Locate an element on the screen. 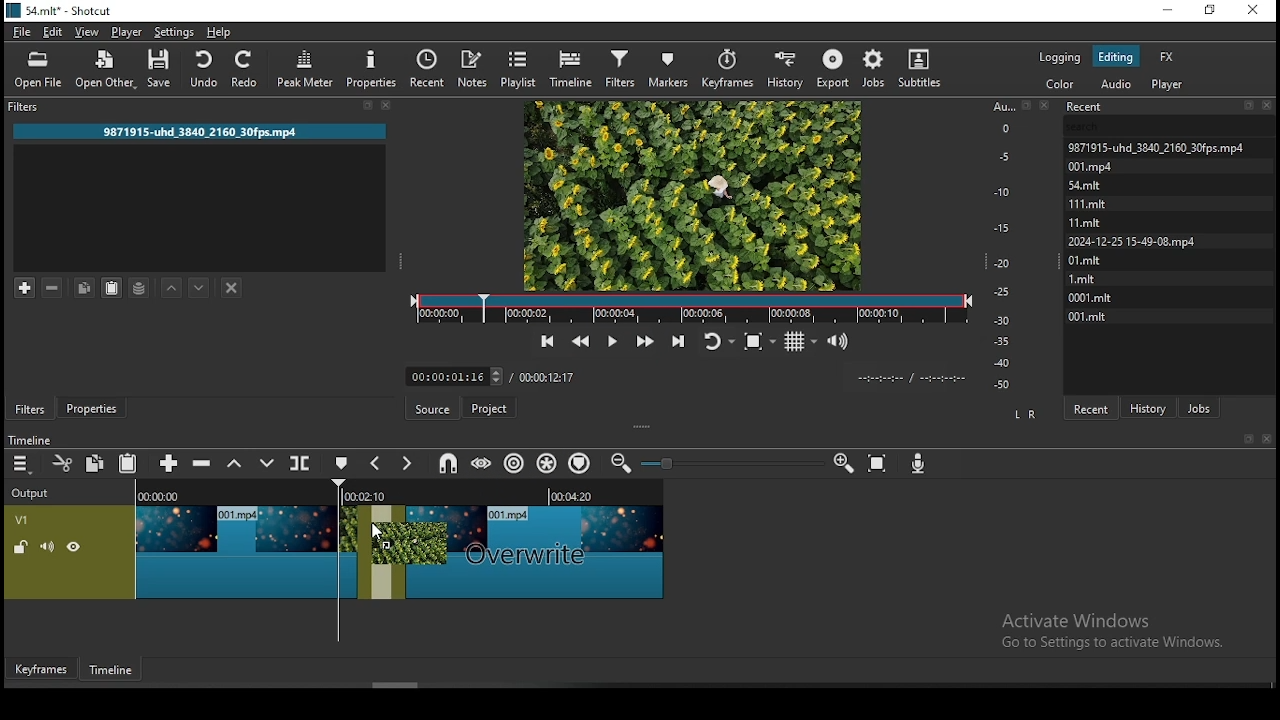 Image resolution: width=1280 pixels, height=720 pixels. V1 is located at coordinates (35, 519).